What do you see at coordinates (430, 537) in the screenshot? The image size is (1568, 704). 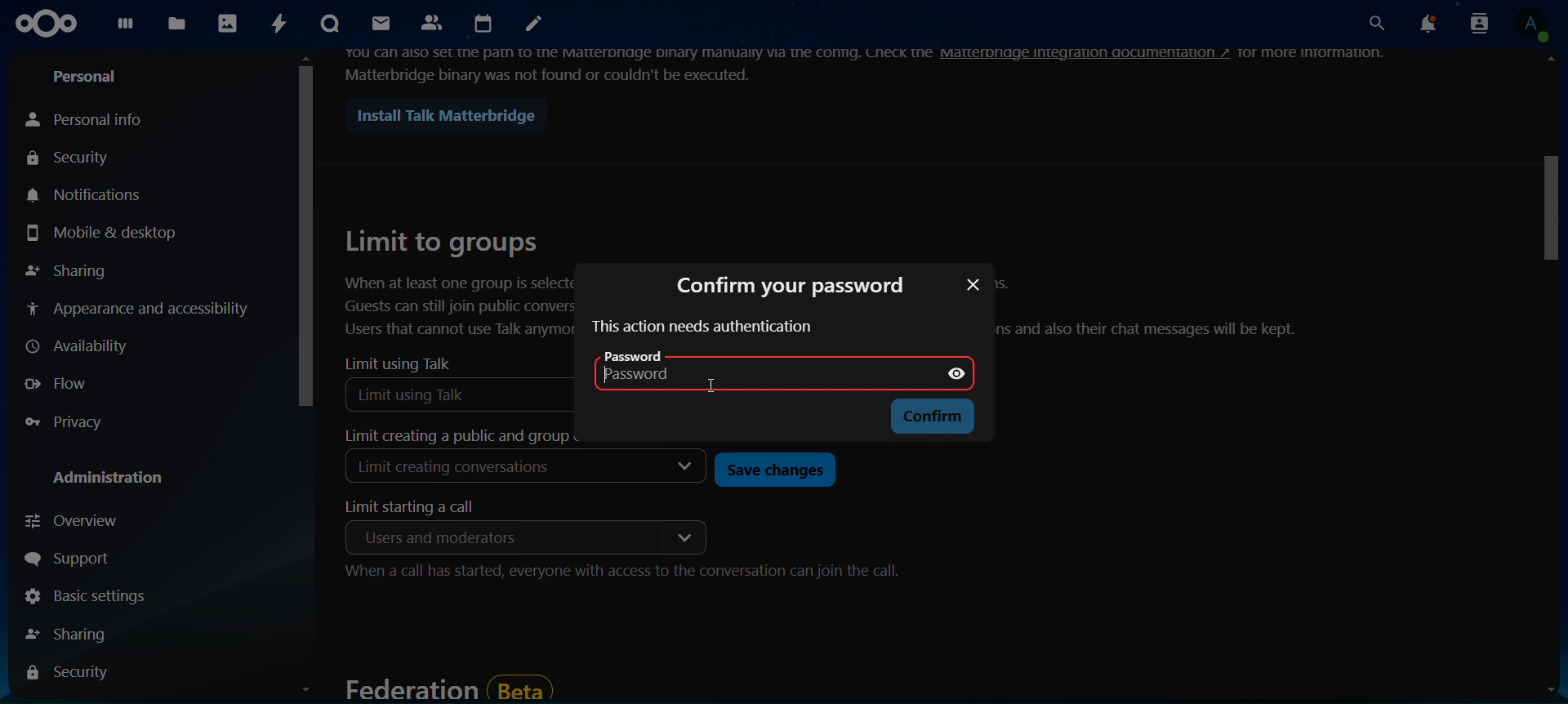 I see `moderators only` at bounding box center [430, 537].